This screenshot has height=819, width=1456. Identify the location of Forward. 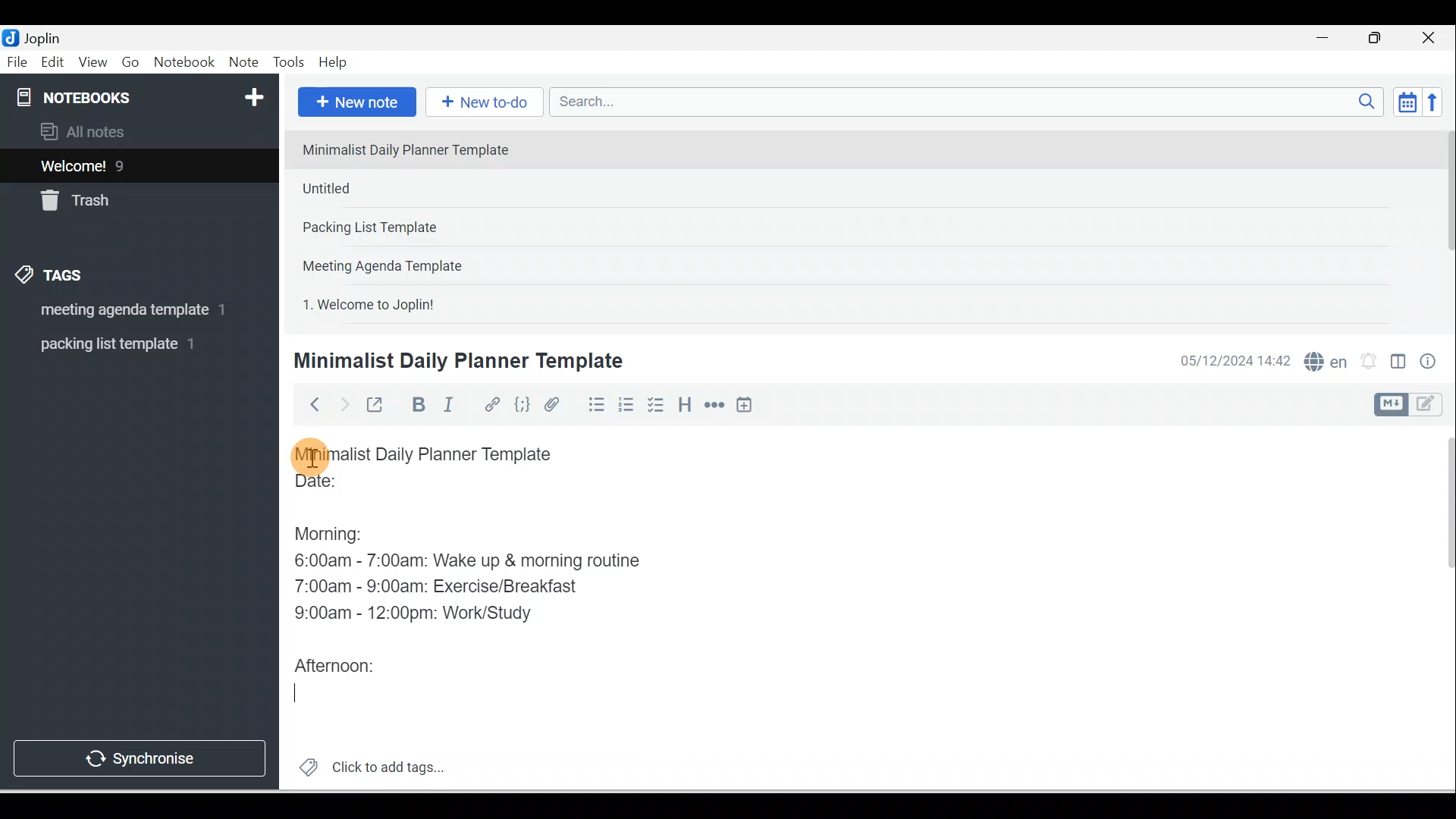
(343, 403).